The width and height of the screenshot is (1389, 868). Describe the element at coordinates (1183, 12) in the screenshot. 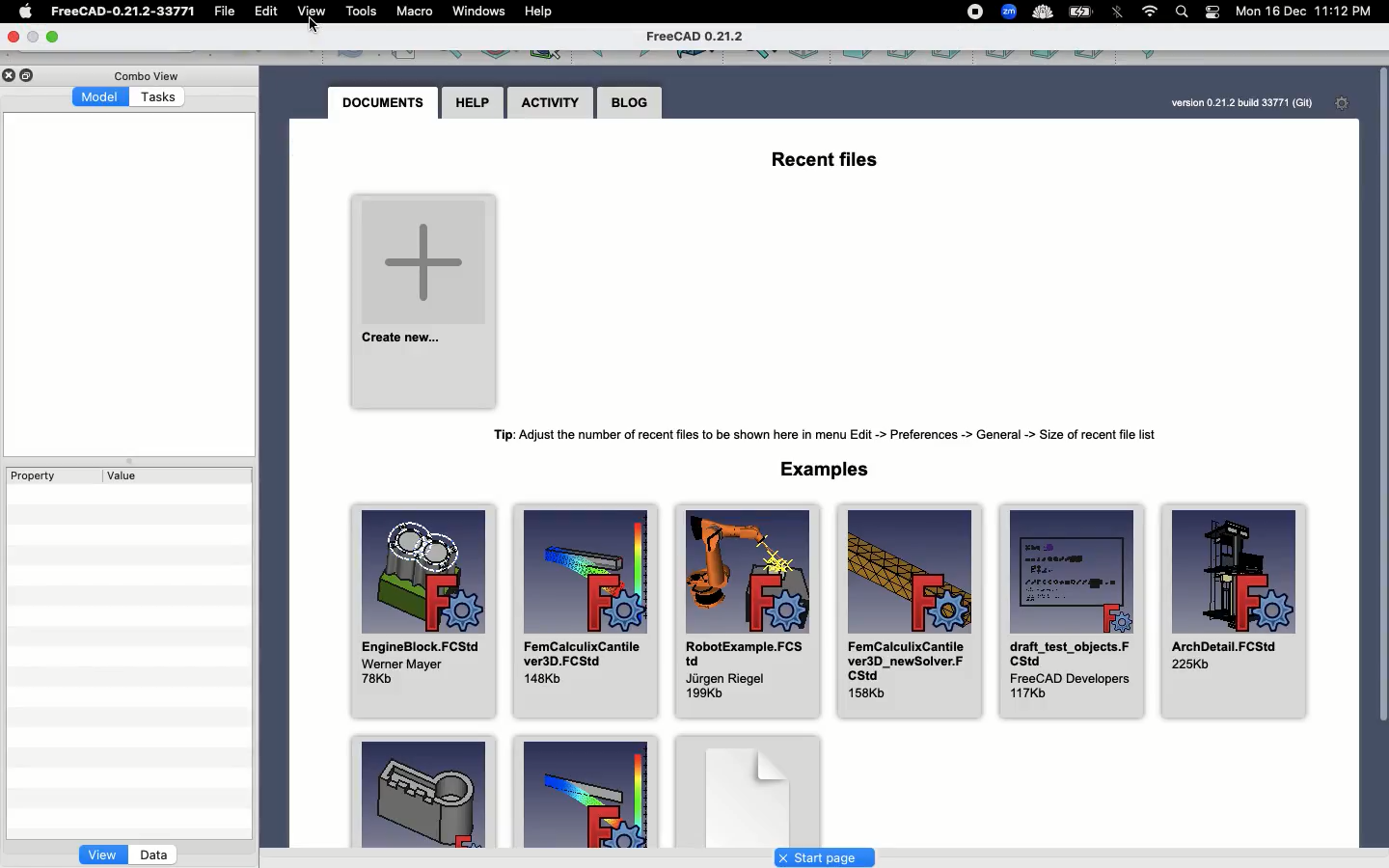

I see `Search` at that location.